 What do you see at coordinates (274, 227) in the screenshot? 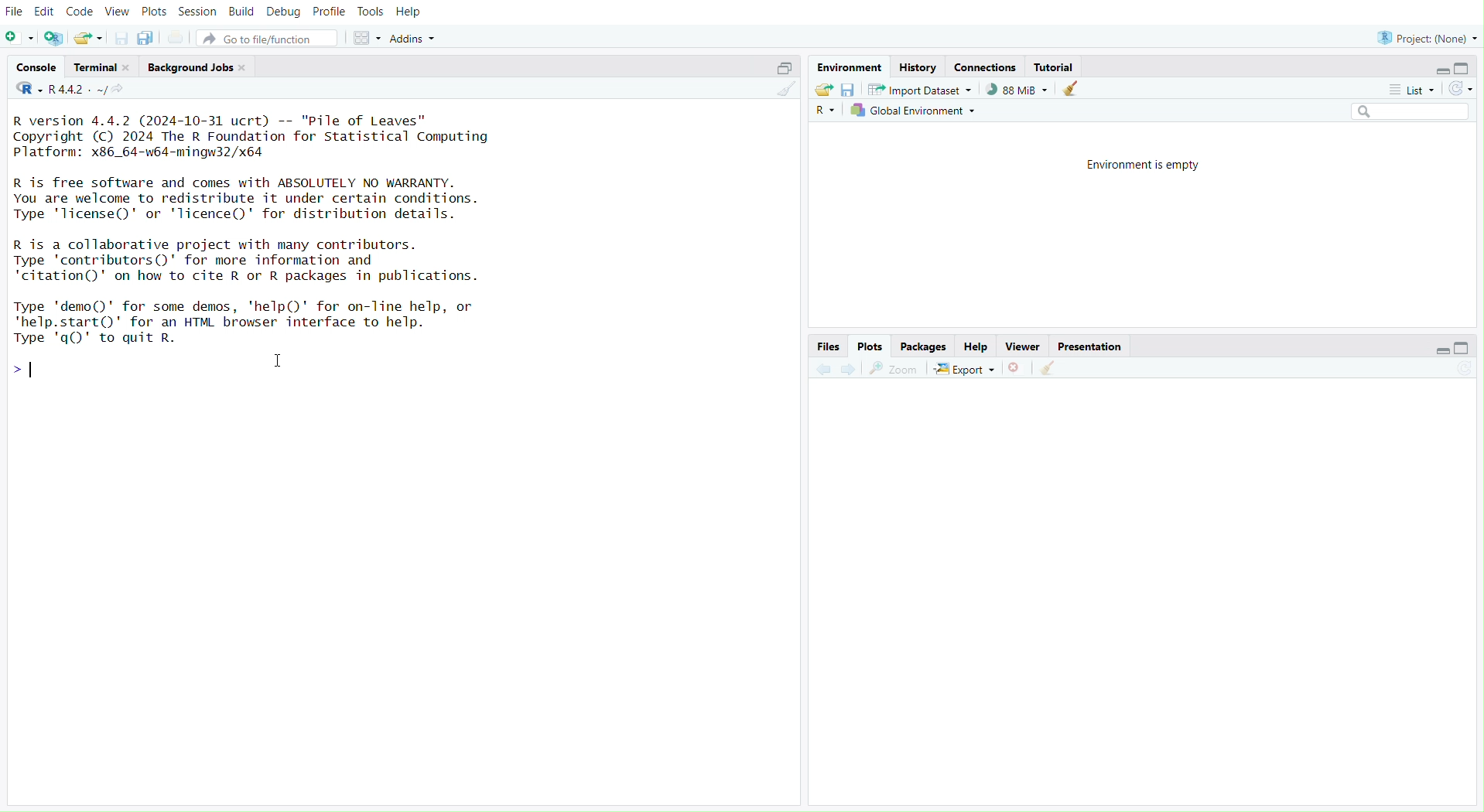
I see `R version 4.4.2 (2024-10-31 ucrt) -- "Pile of Leaves”
Copyright (C) 2024 The R Foundation for Statistical Computing
Platform: x86_64-w64-mingw32/x64

R is free software and comes with ABSOLUTELY NO WARRANTY.
You are welcome to redistribute it under certain conditions.
Type 'license()' or 'licence()' for distribution details.

R is a collaborative project with many contributors.

Type 'contributors()' for more information and

‘citation()' on how to cite R or R packages in publications.
Type 'demo()' for some demos, 'help()' for on-line help, or
'help.start()' for an HTML browser interface to help.

Type 'qQ)' to quit R.

NY I` at bounding box center [274, 227].